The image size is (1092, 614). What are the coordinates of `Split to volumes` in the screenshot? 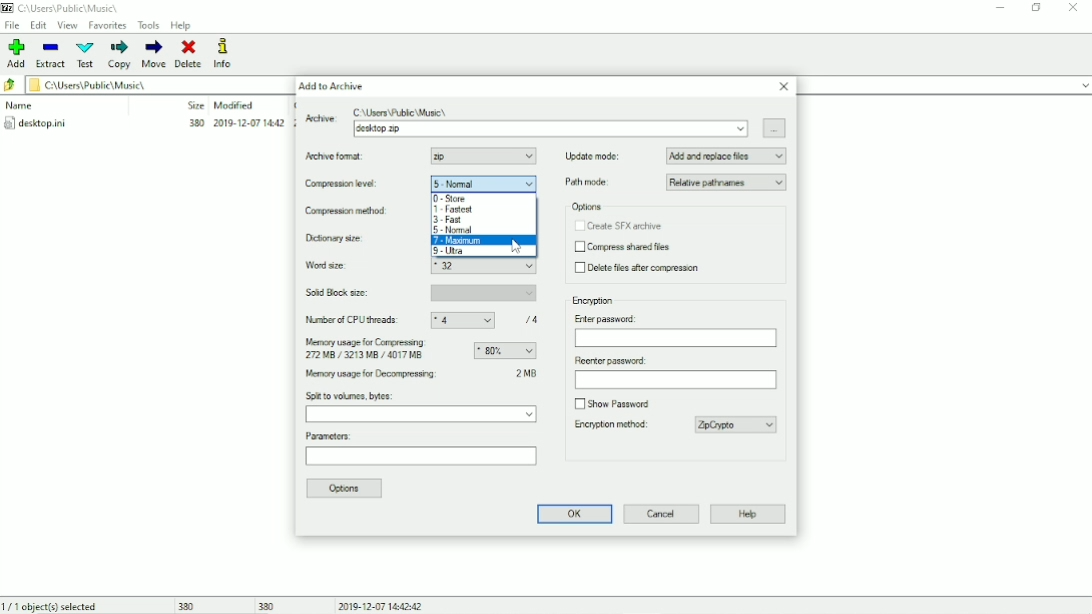 It's located at (422, 408).